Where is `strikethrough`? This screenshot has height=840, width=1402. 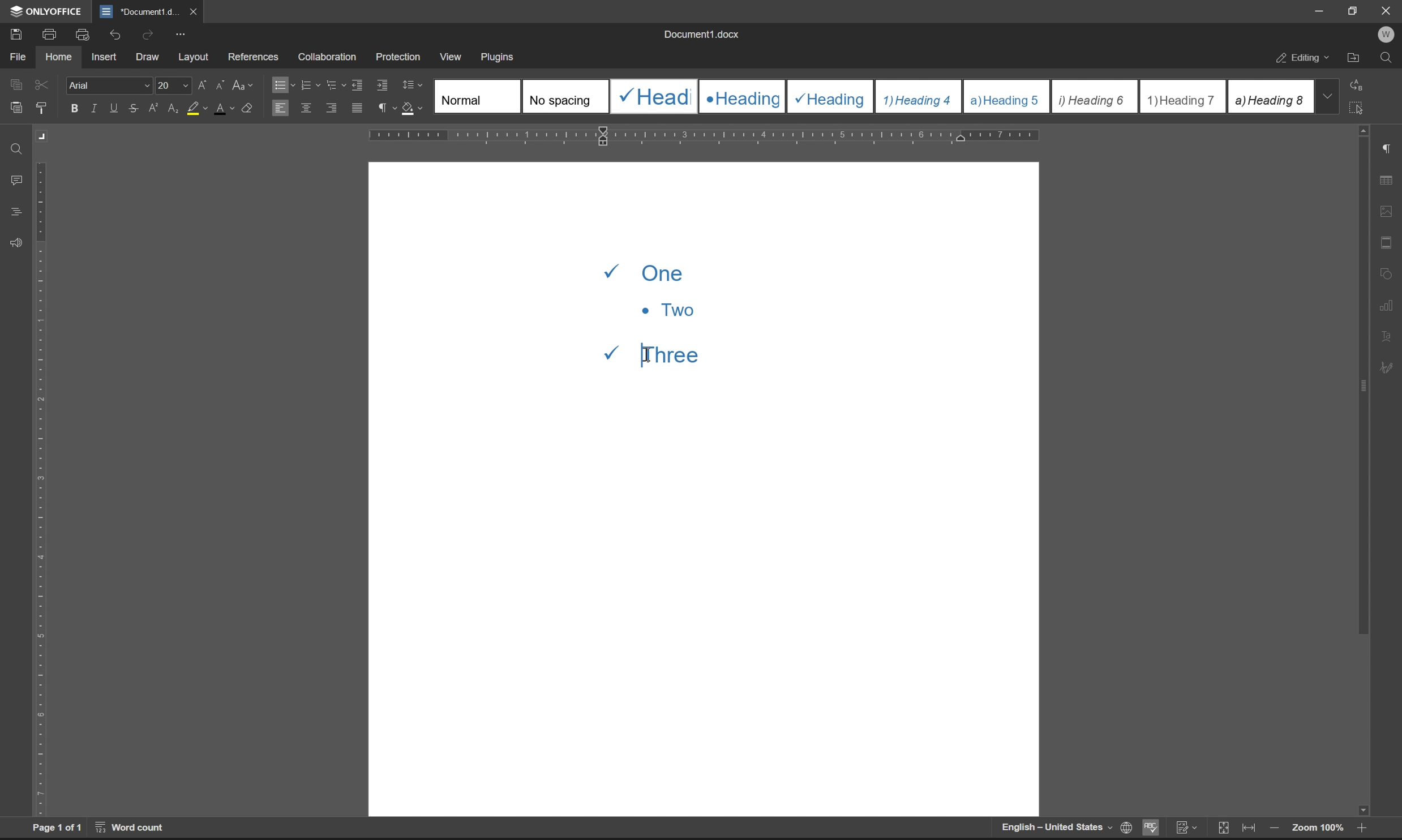
strikethrough is located at coordinates (135, 108).